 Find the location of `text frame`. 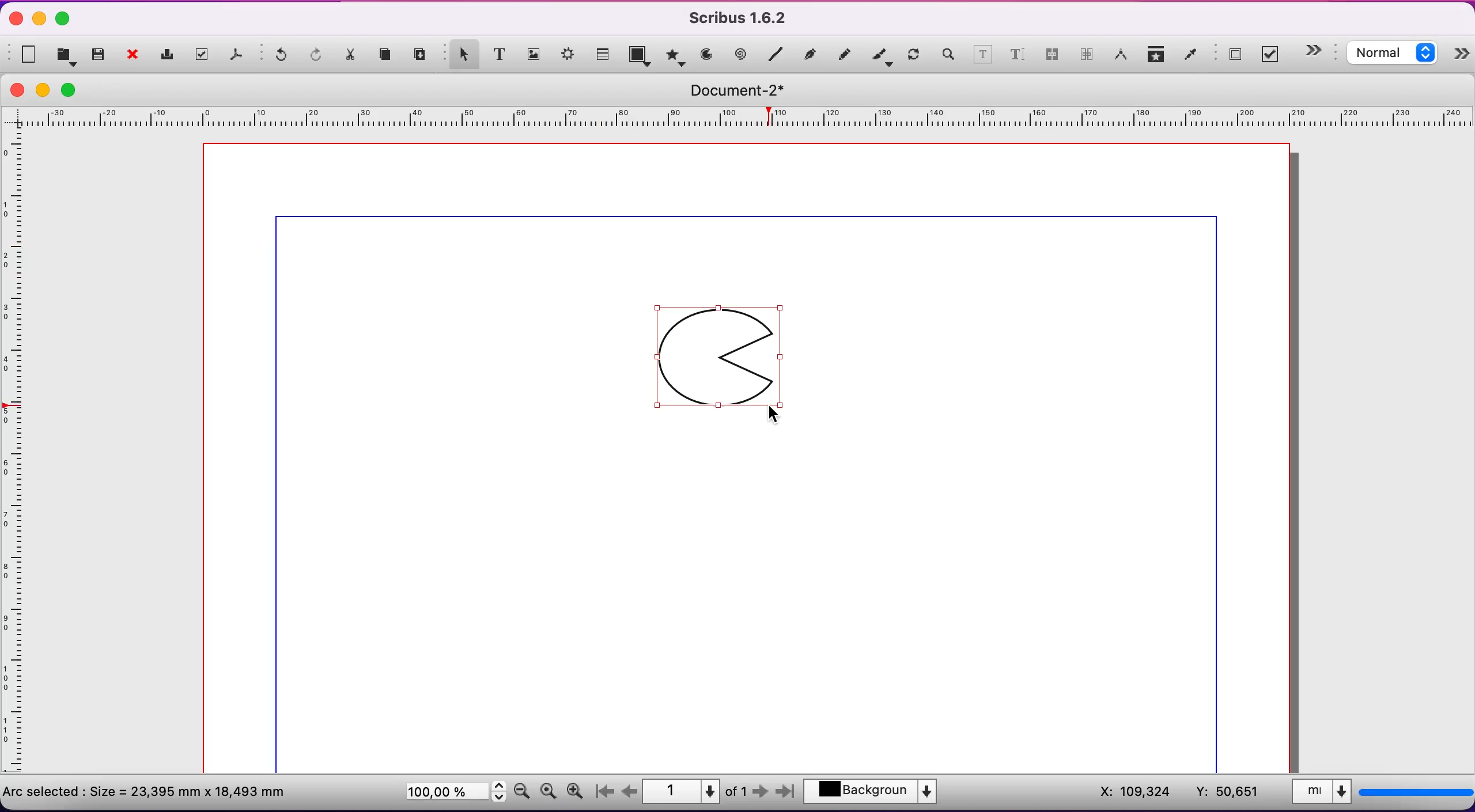

text frame is located at coordinates (500, 54).